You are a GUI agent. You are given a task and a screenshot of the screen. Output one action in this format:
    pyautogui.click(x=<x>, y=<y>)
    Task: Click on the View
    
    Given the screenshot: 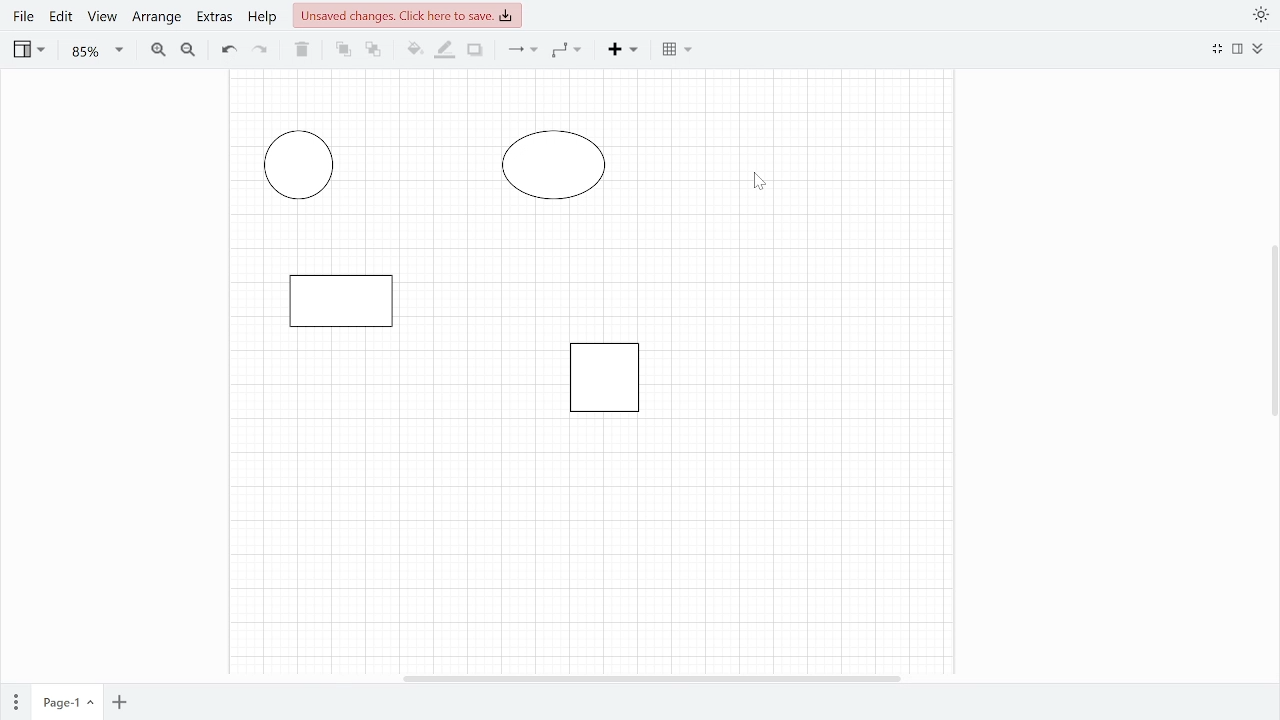 What is the action you would take?
    pyautogui.click(x=28, y=52)
    